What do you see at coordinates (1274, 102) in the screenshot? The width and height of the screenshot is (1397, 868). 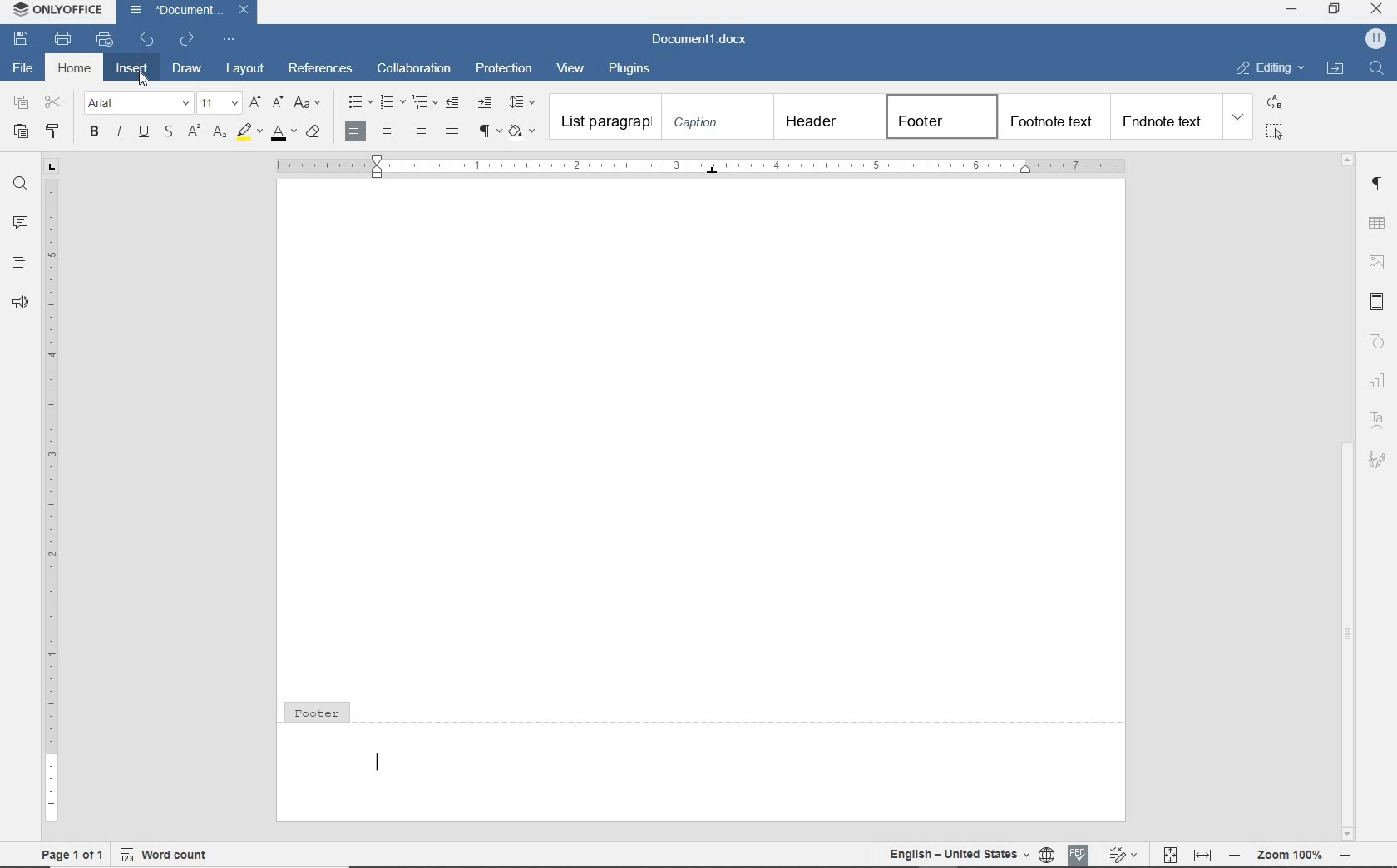 I see `replace` at bounding box center [1274, 102].